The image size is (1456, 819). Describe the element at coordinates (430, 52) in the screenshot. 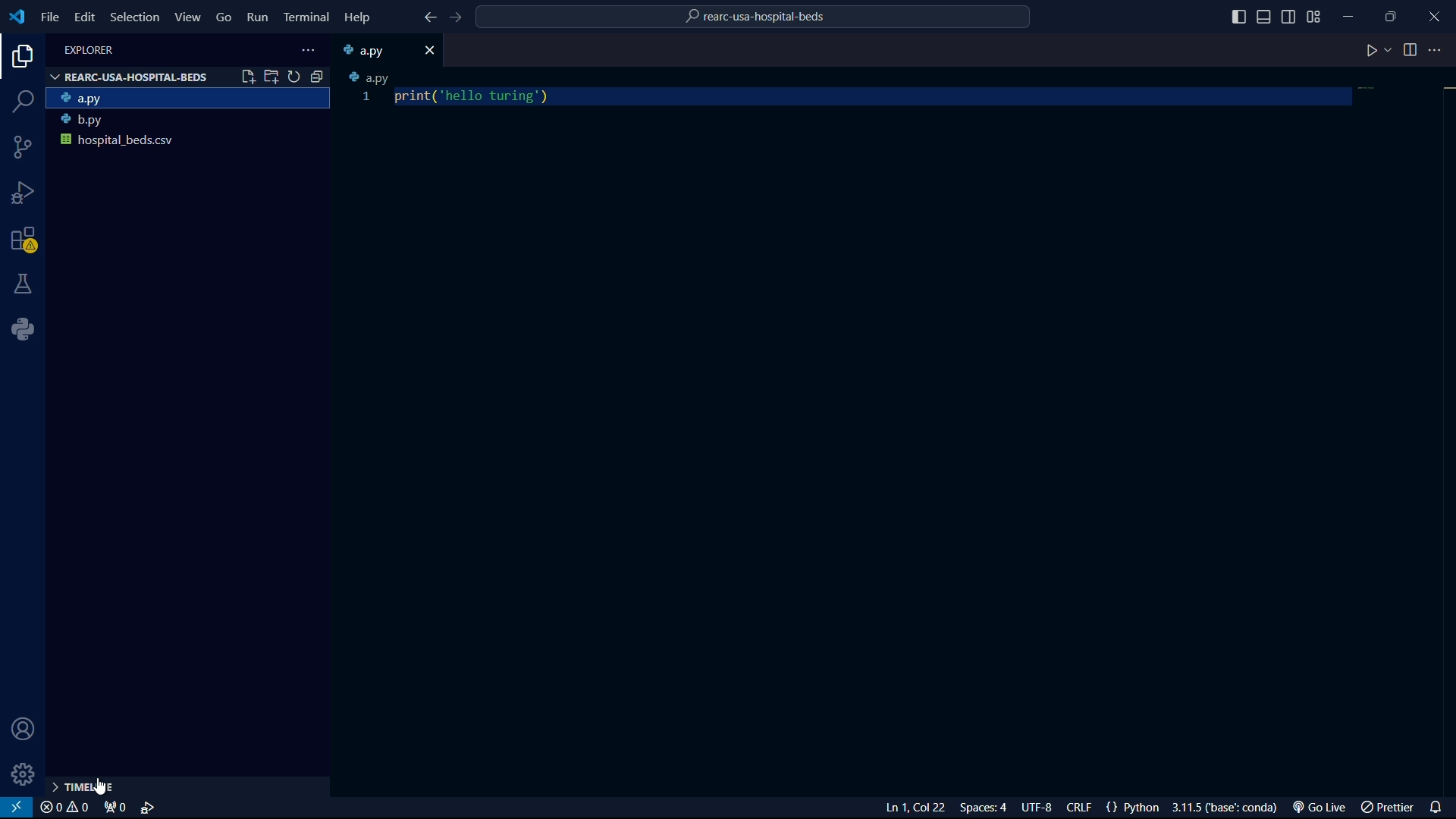

I see `close` at that location.